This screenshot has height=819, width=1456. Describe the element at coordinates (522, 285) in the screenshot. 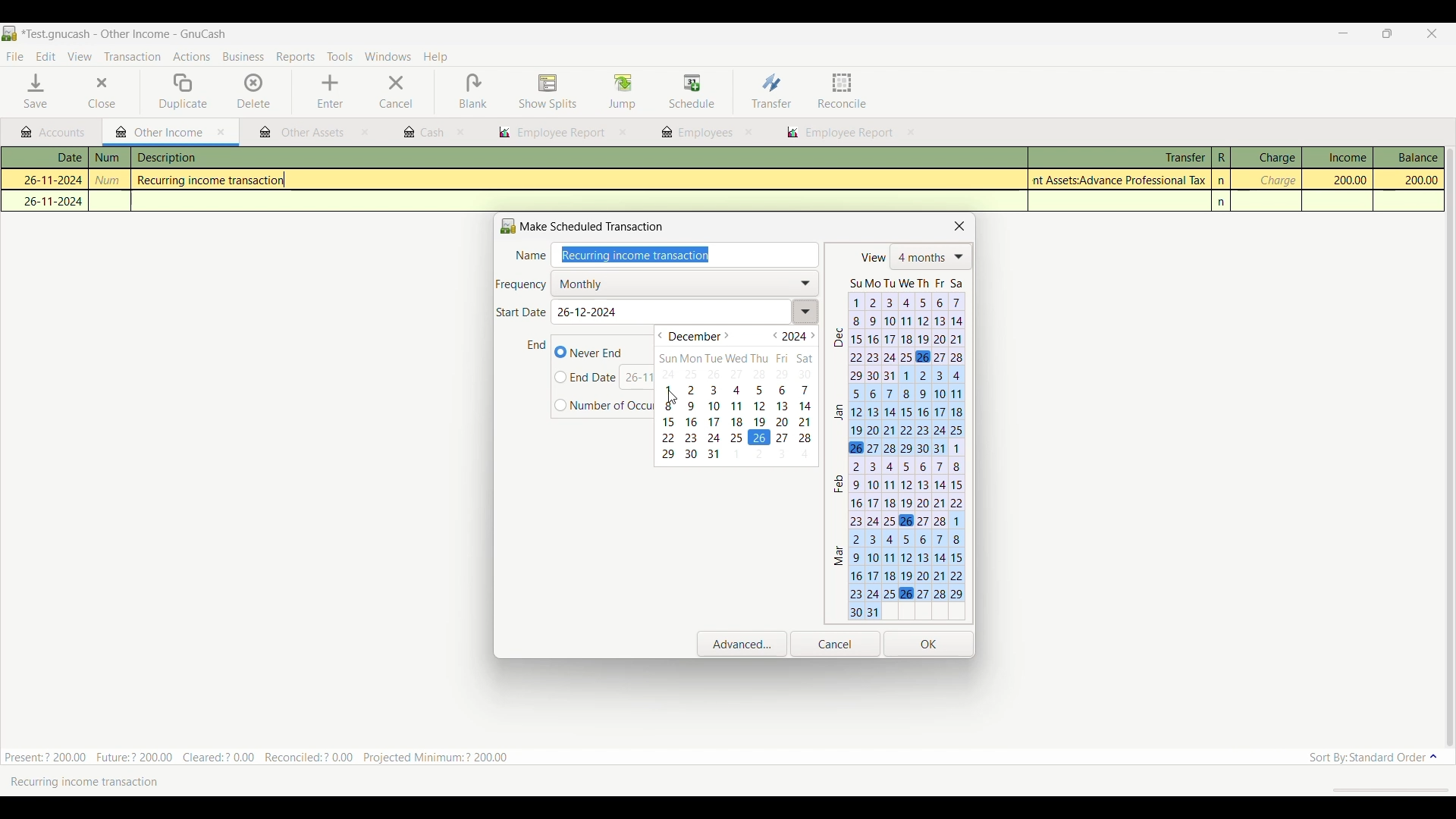

I see `Indicates frequency of transaction` at that location.